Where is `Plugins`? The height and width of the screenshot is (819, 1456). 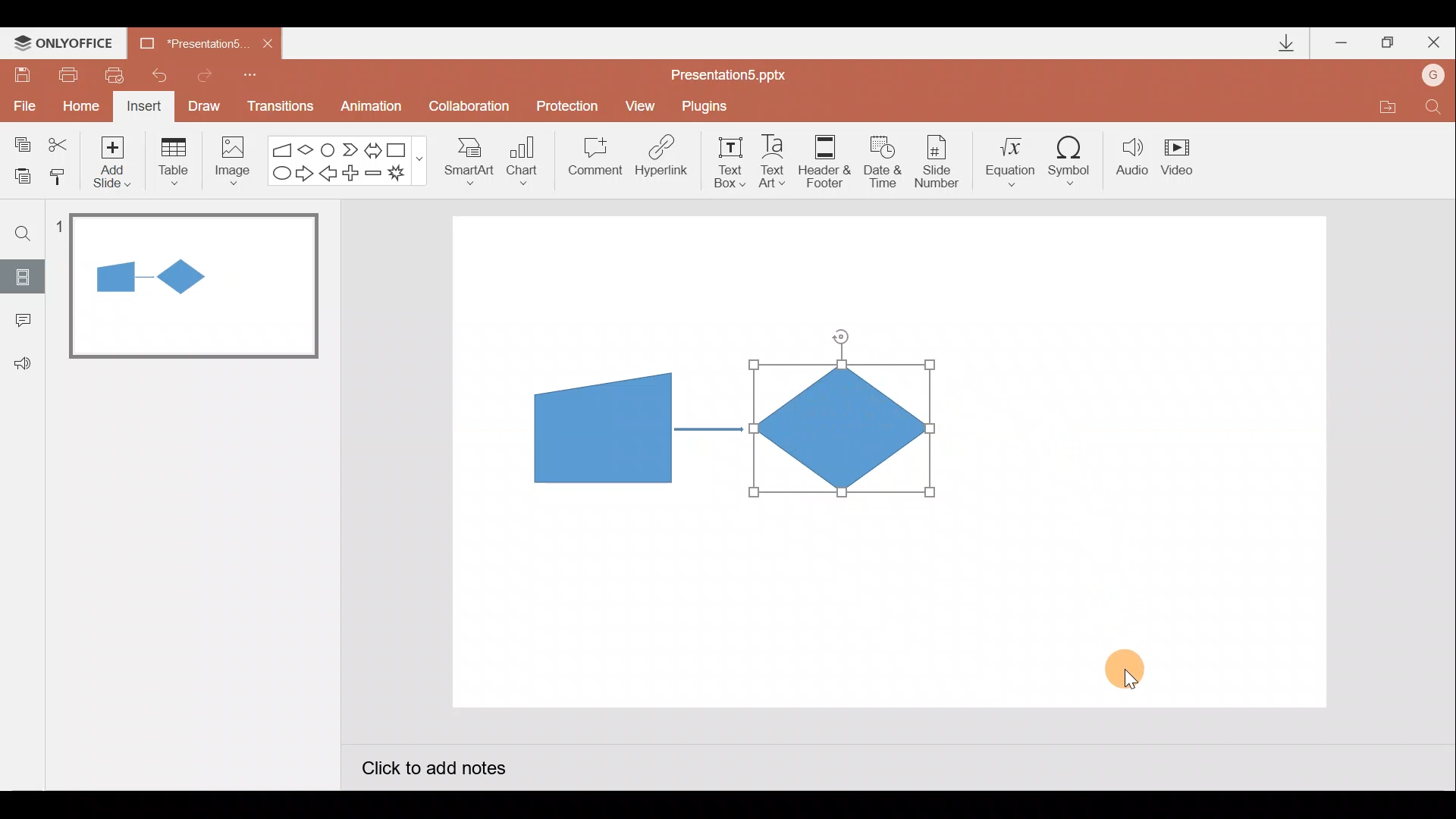
Plugins is located at coordinates (708, 106).